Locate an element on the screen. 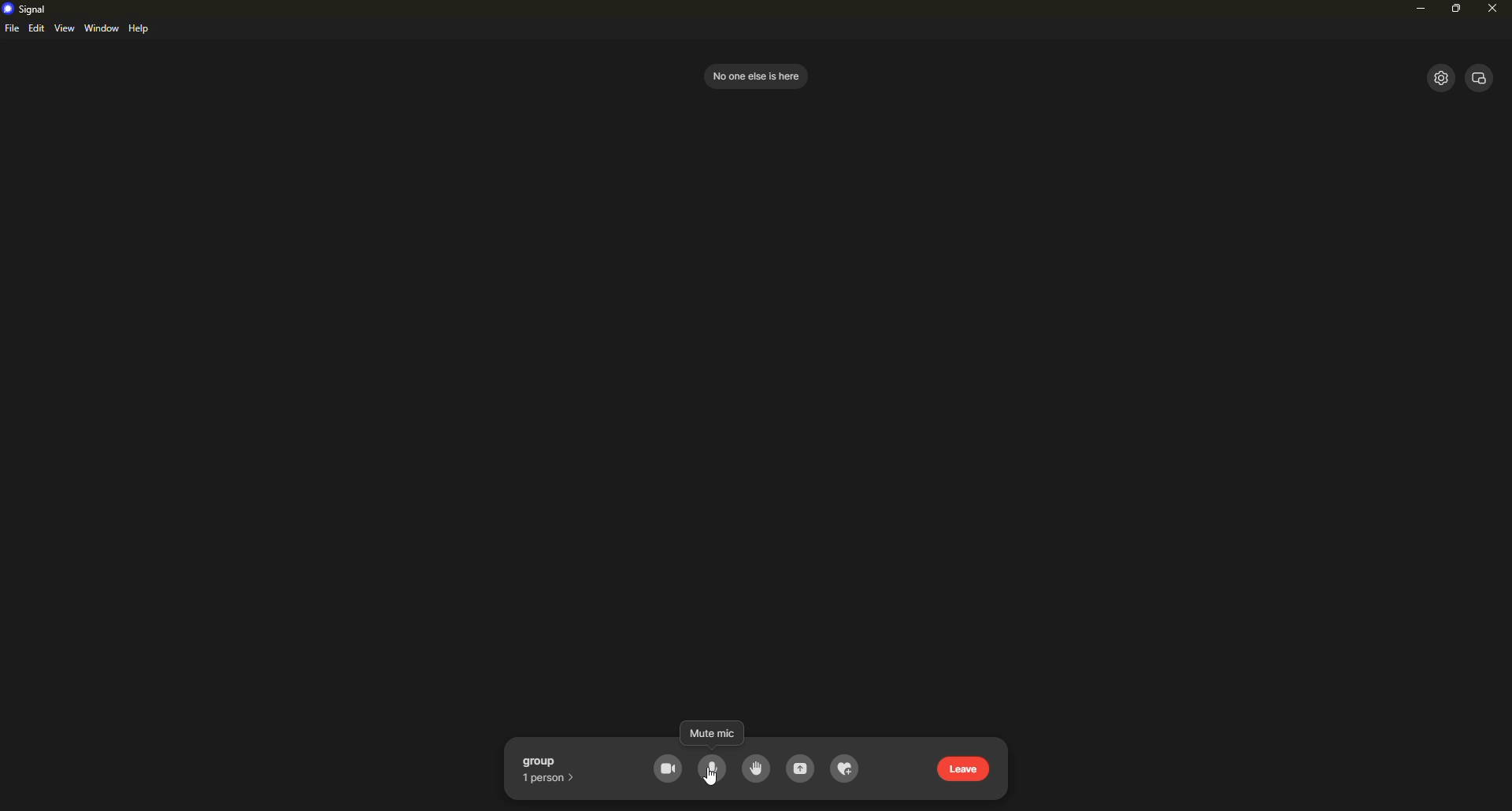 Image resolution: width=1512 pixels, height=811 pixels. mute mic is located at coordinates (713, 769).